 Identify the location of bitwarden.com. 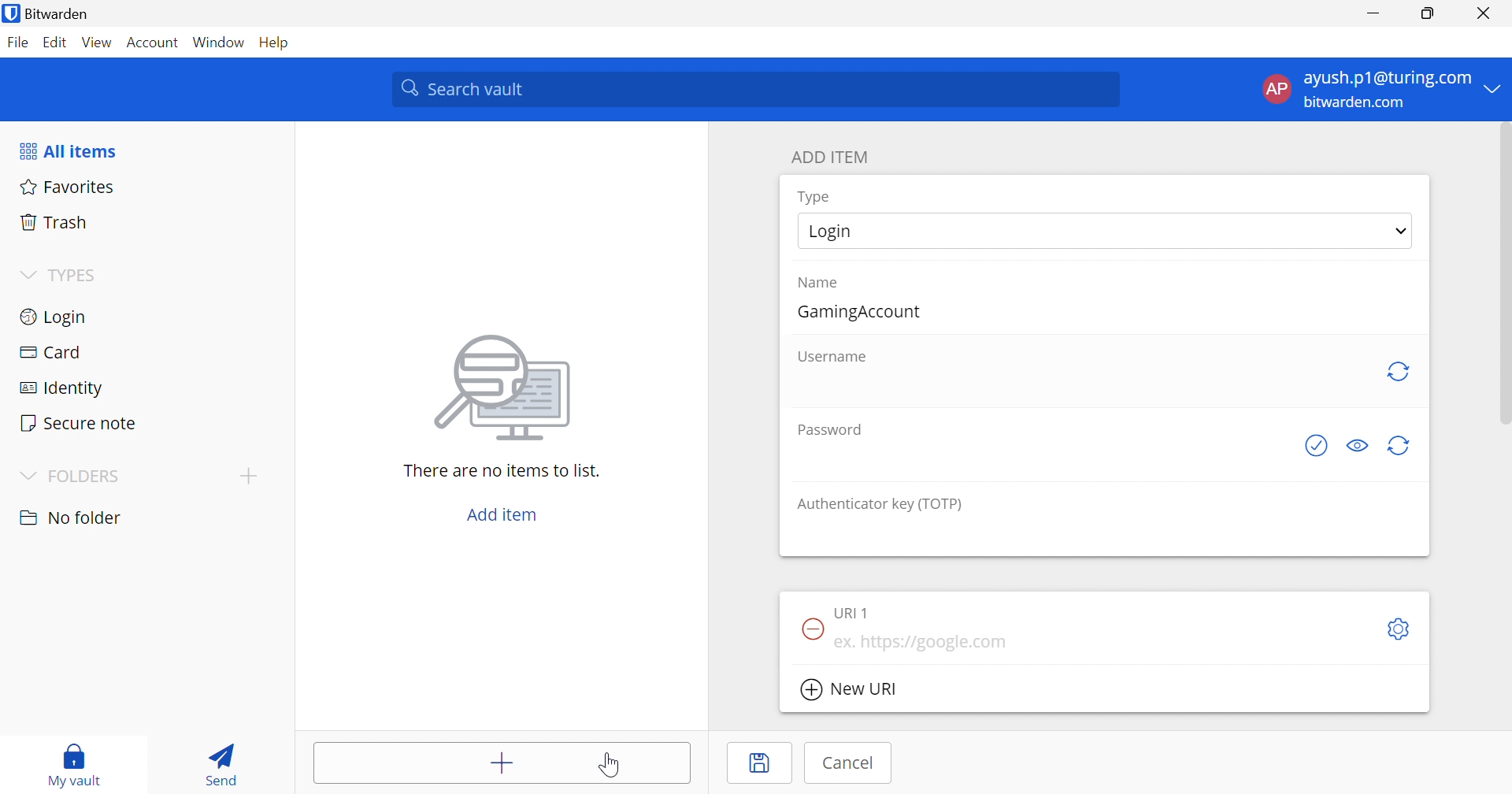
(1355, 103).